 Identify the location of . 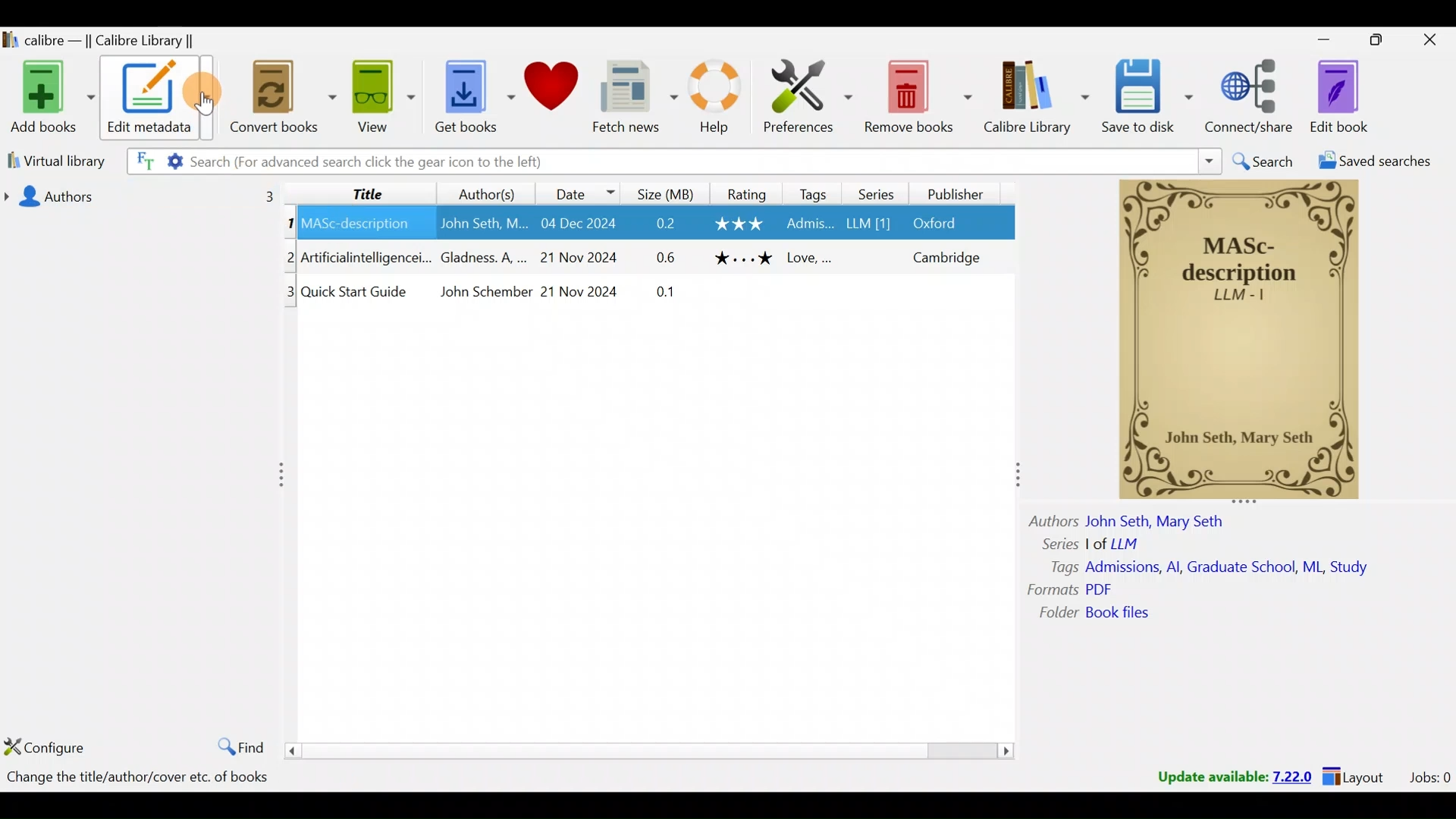
(949, 257).